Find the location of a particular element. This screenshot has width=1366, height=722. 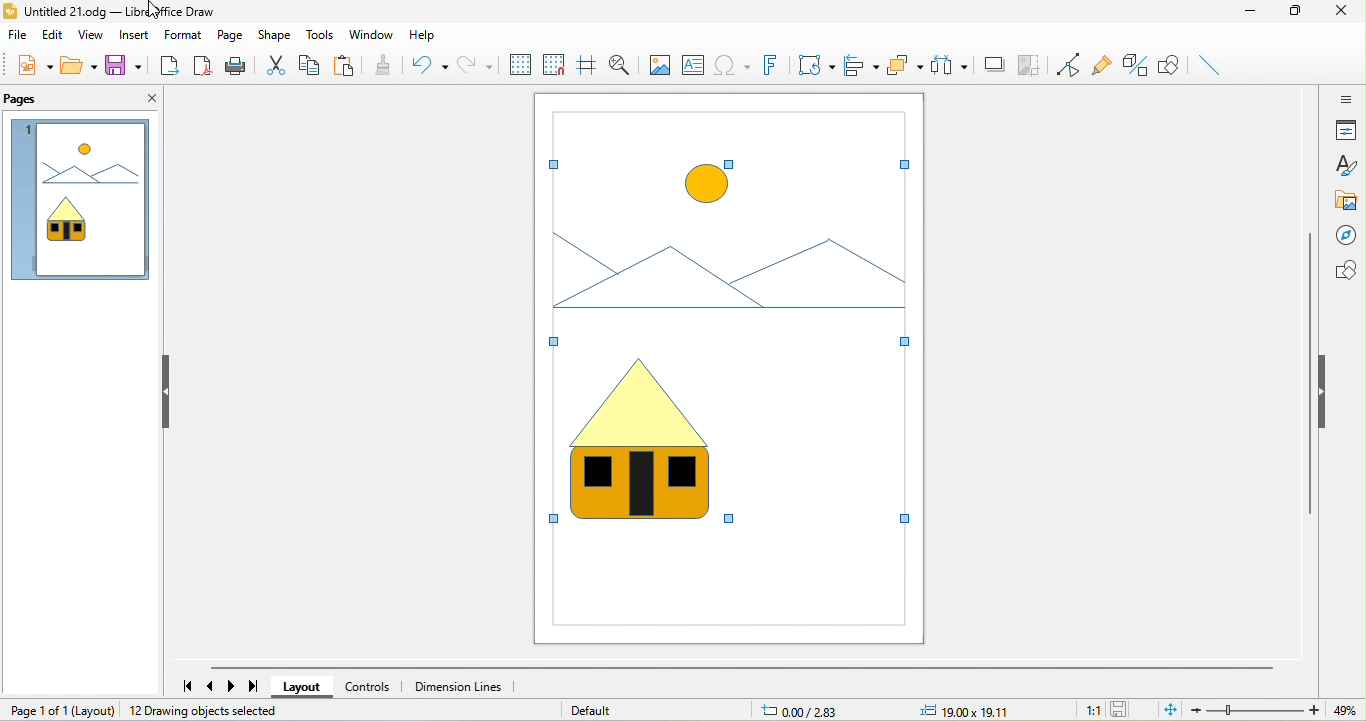

open is located at coordinates (79, 66).